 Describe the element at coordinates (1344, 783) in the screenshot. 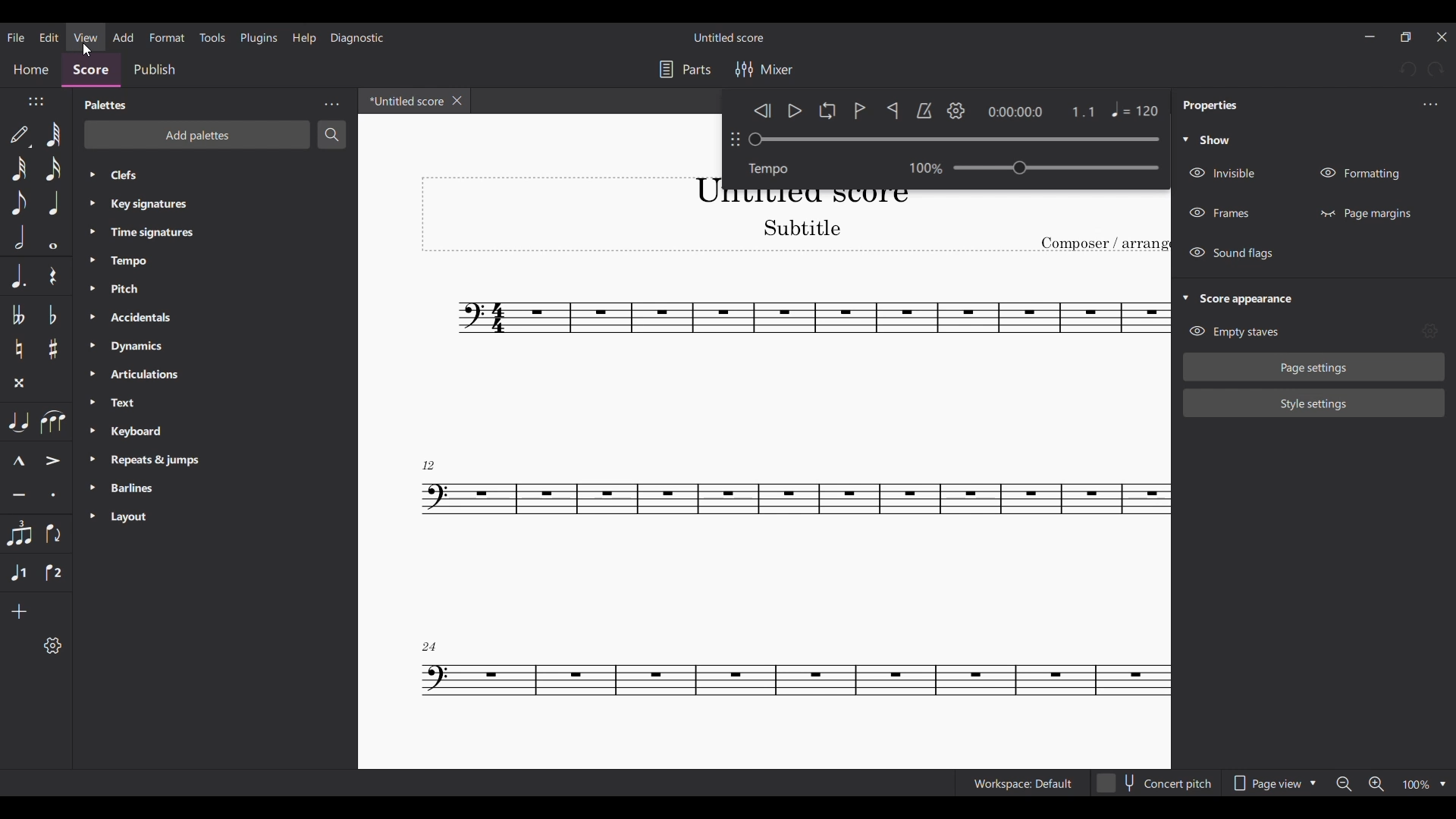

I see `Zoom out` at that location.